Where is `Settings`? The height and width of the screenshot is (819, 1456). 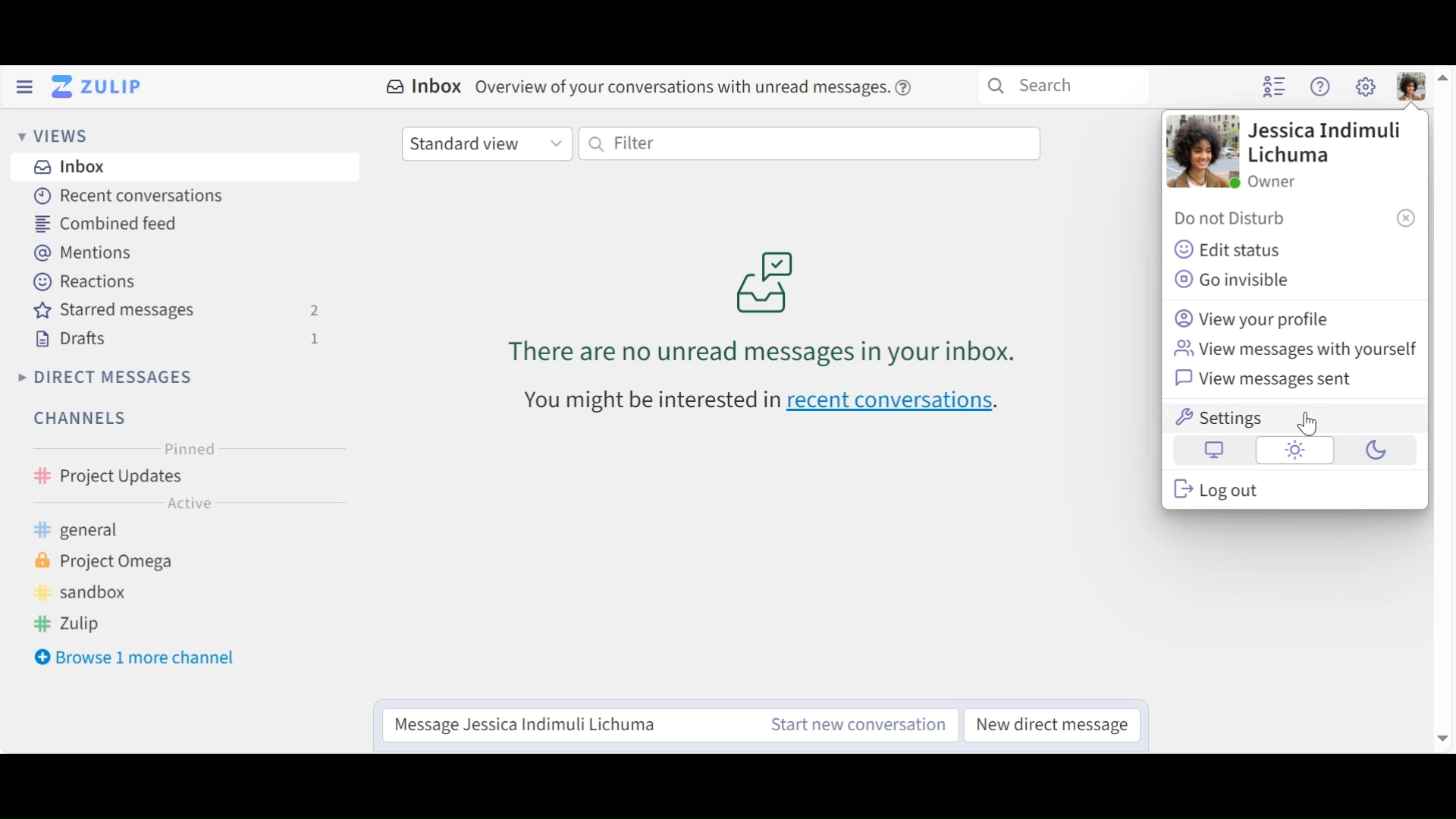
Settings is located at coordinates (1296, 419).